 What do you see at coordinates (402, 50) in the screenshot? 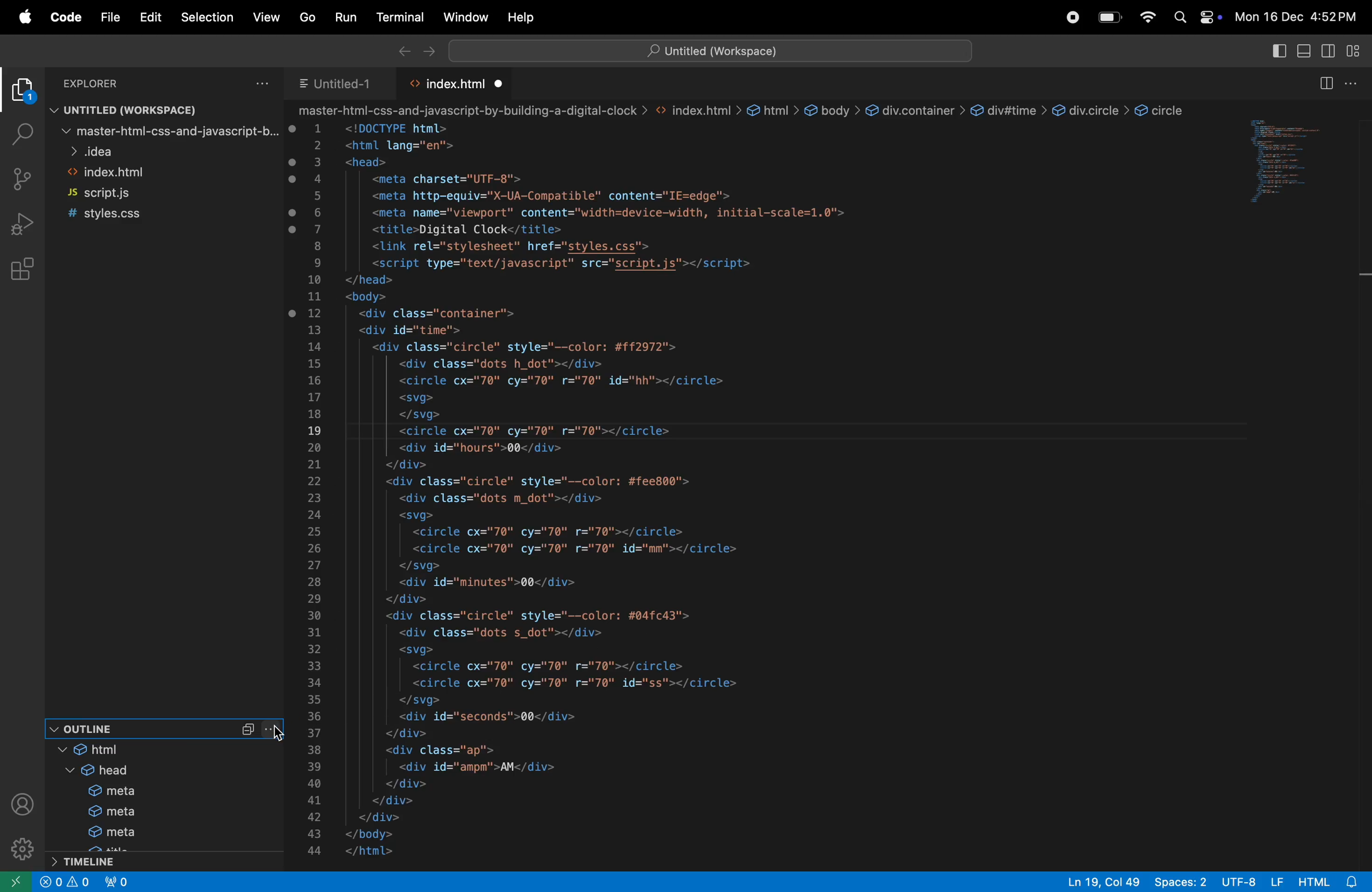
I see `backward` at bounding box center [402, 50].